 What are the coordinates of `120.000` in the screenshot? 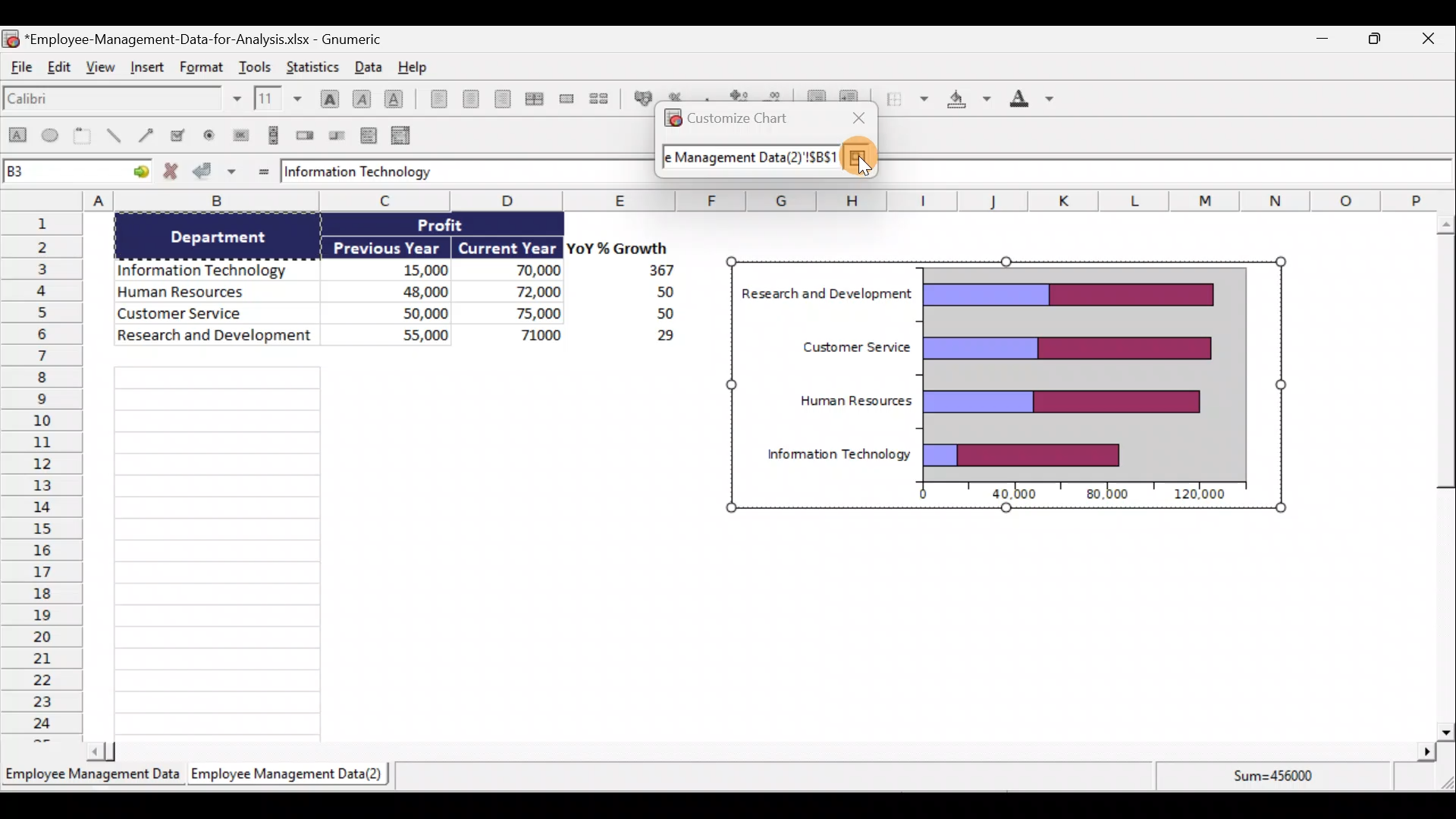 It's located at (1203, 494).